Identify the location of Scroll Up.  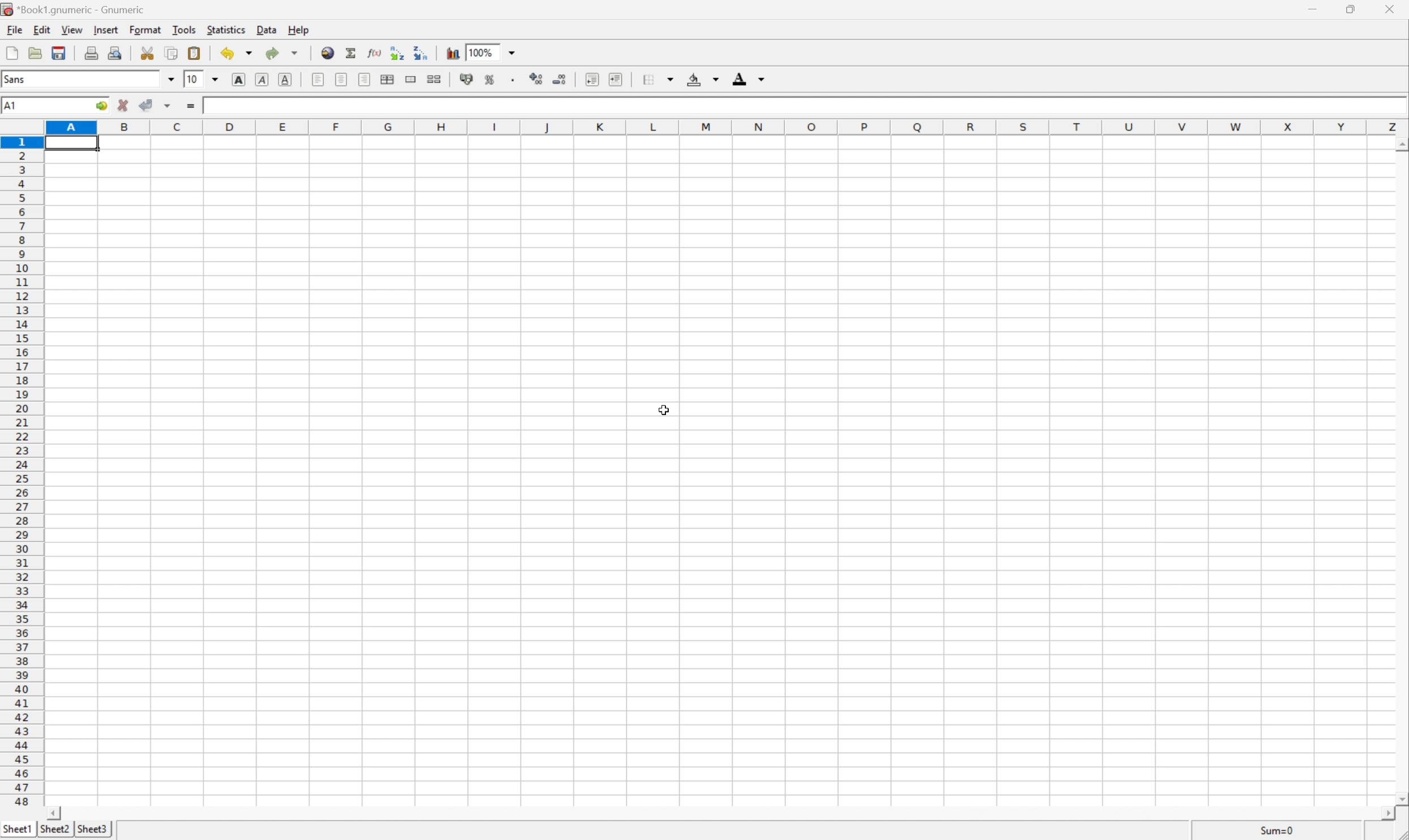
(1400, 144).